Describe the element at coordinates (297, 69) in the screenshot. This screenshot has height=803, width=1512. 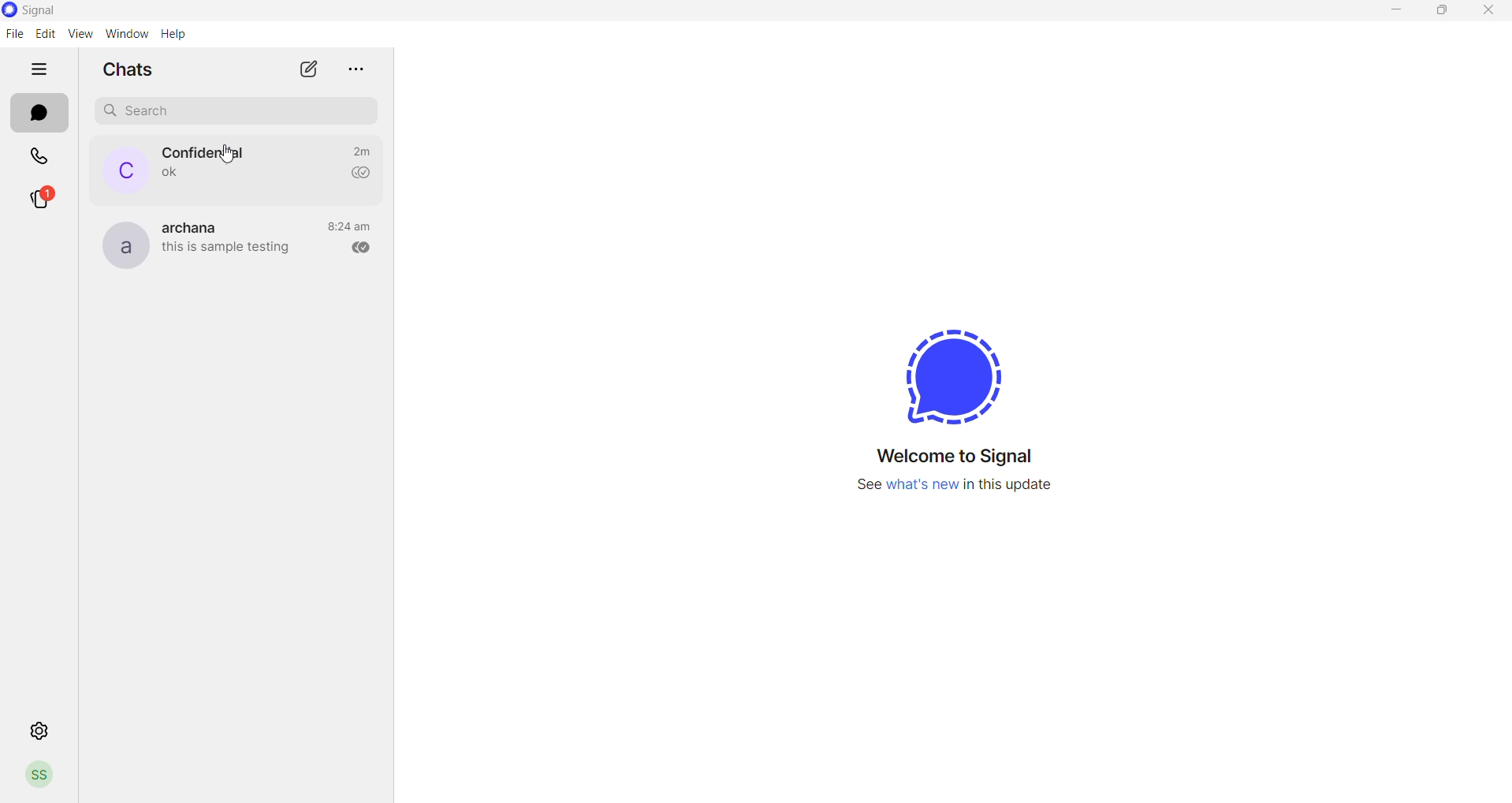
I see `new chat` at that location.